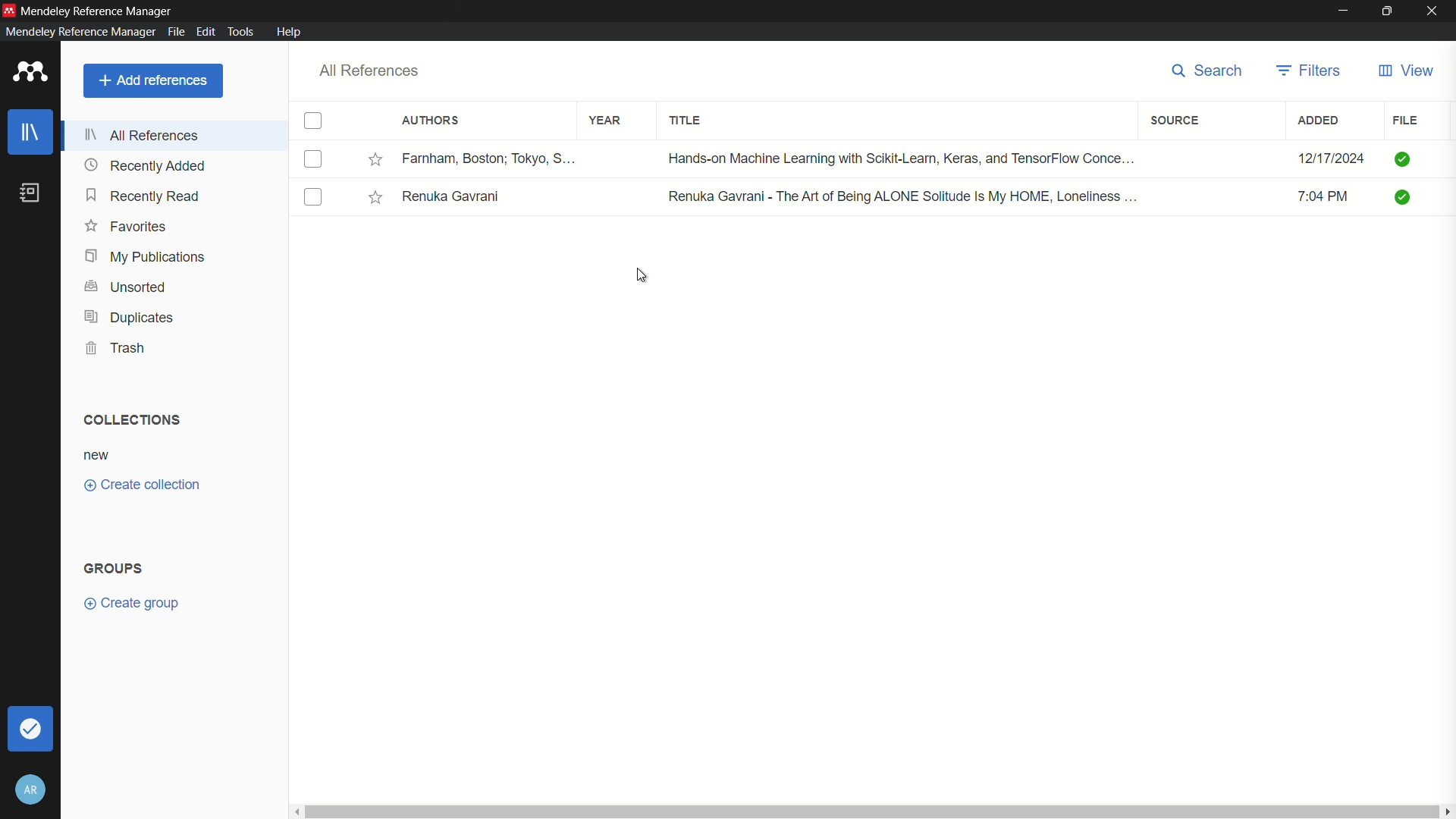 This screenshot has height=819, width=1456. What do you see at coordinates (893, 158) in the screenshot?
I see `Hands on Machine learning` at bounding box center [893, 158].